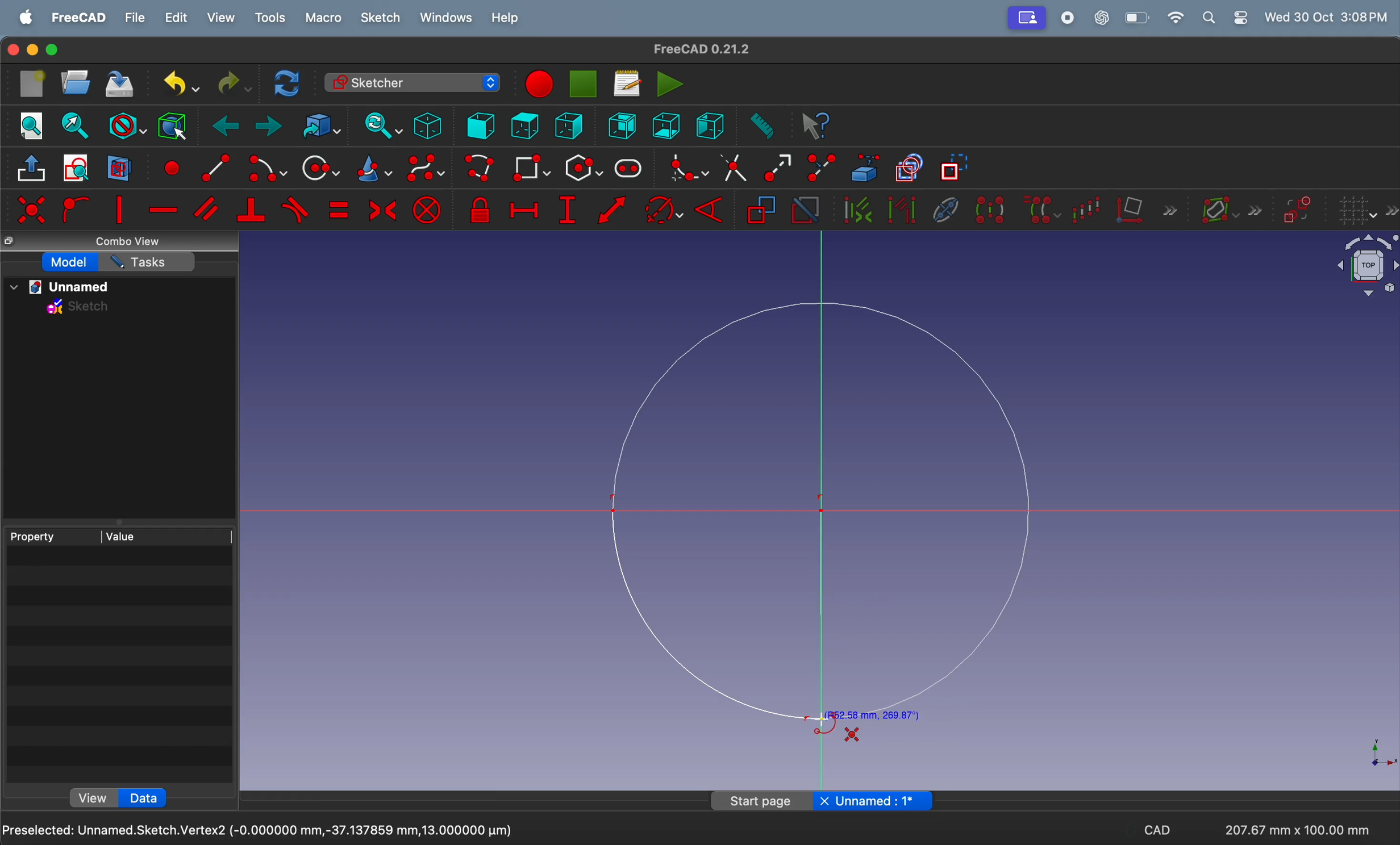 The width and height of the screenshot is (1400, 845). Describe the element at coordinates (32, 124) in the screenshot. I see `fit all` at that location.